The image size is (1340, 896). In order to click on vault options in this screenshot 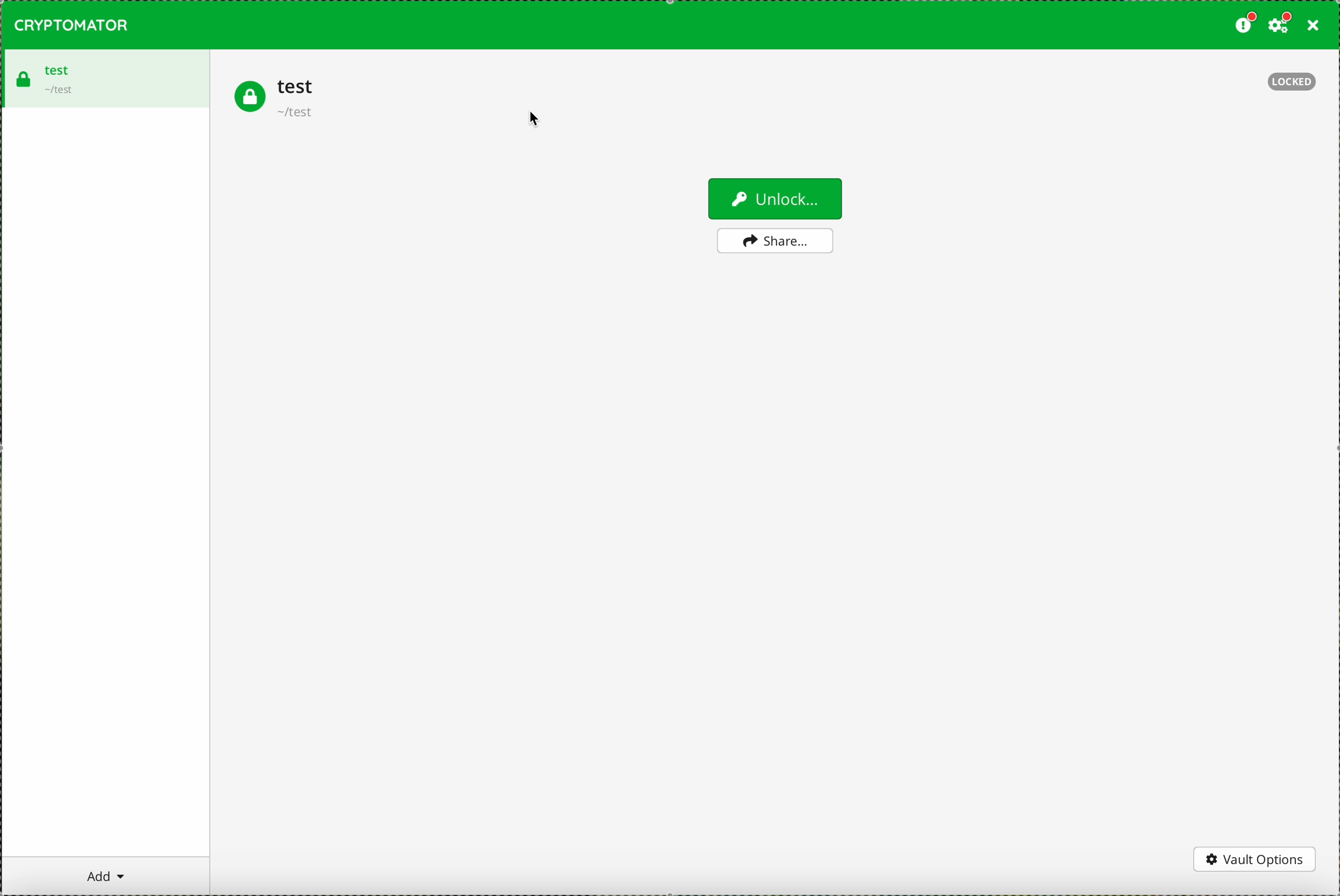, I will do `click(1255, 859)`.